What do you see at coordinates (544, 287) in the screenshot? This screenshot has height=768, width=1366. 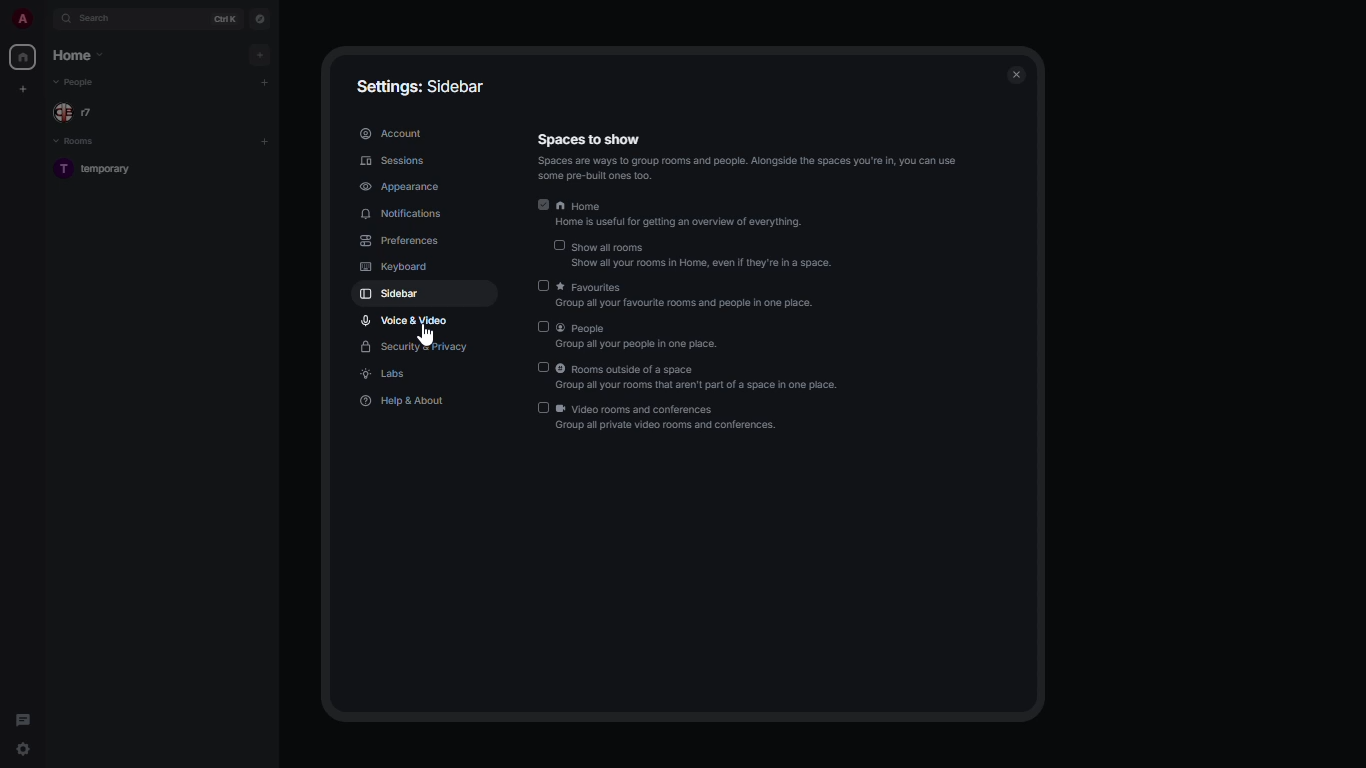 I see `disabled` at bounding box center [544, 287].